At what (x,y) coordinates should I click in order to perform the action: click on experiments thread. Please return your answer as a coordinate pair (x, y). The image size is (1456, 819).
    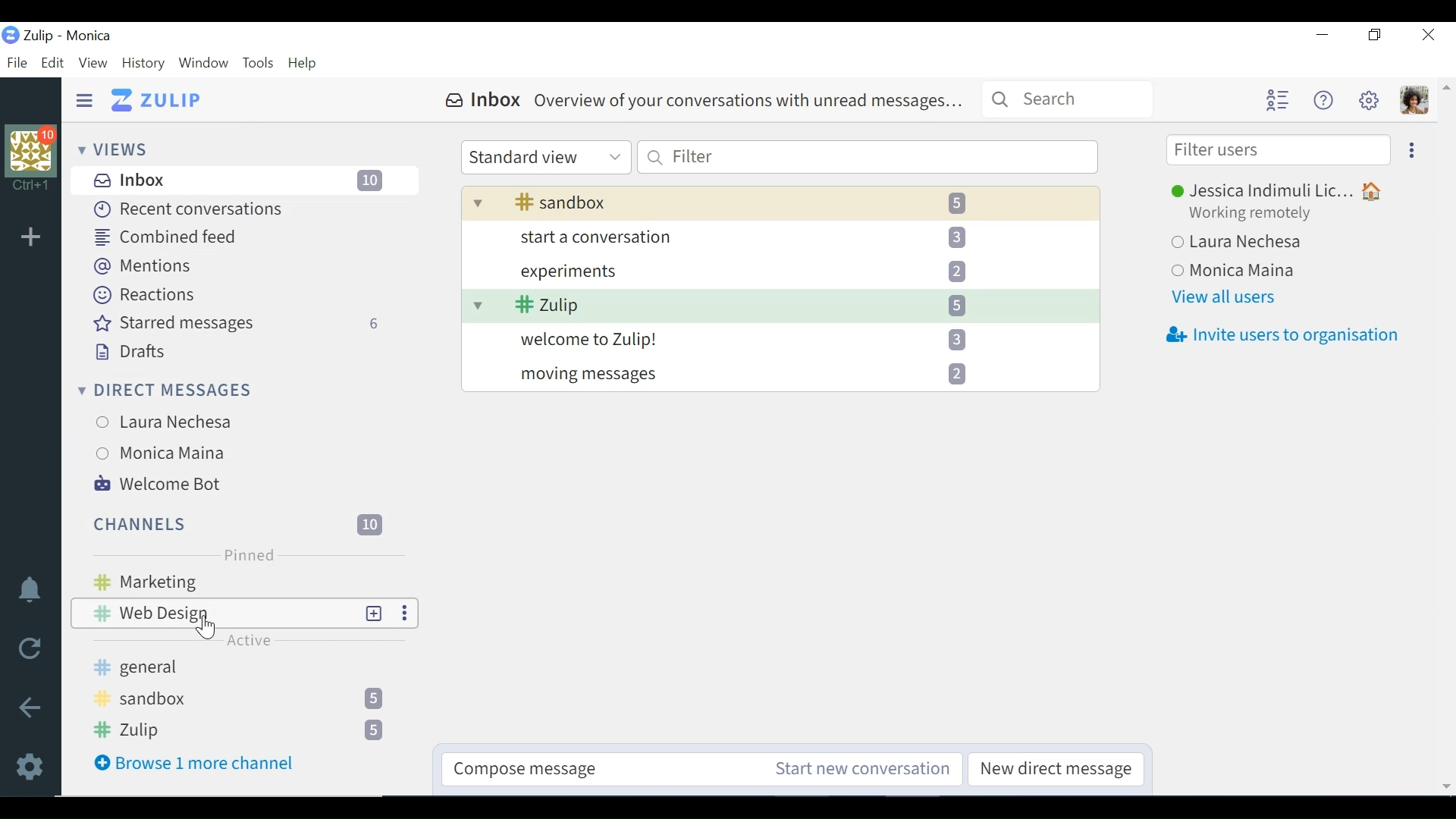
    Looking at the image, I should click on (765, 270).